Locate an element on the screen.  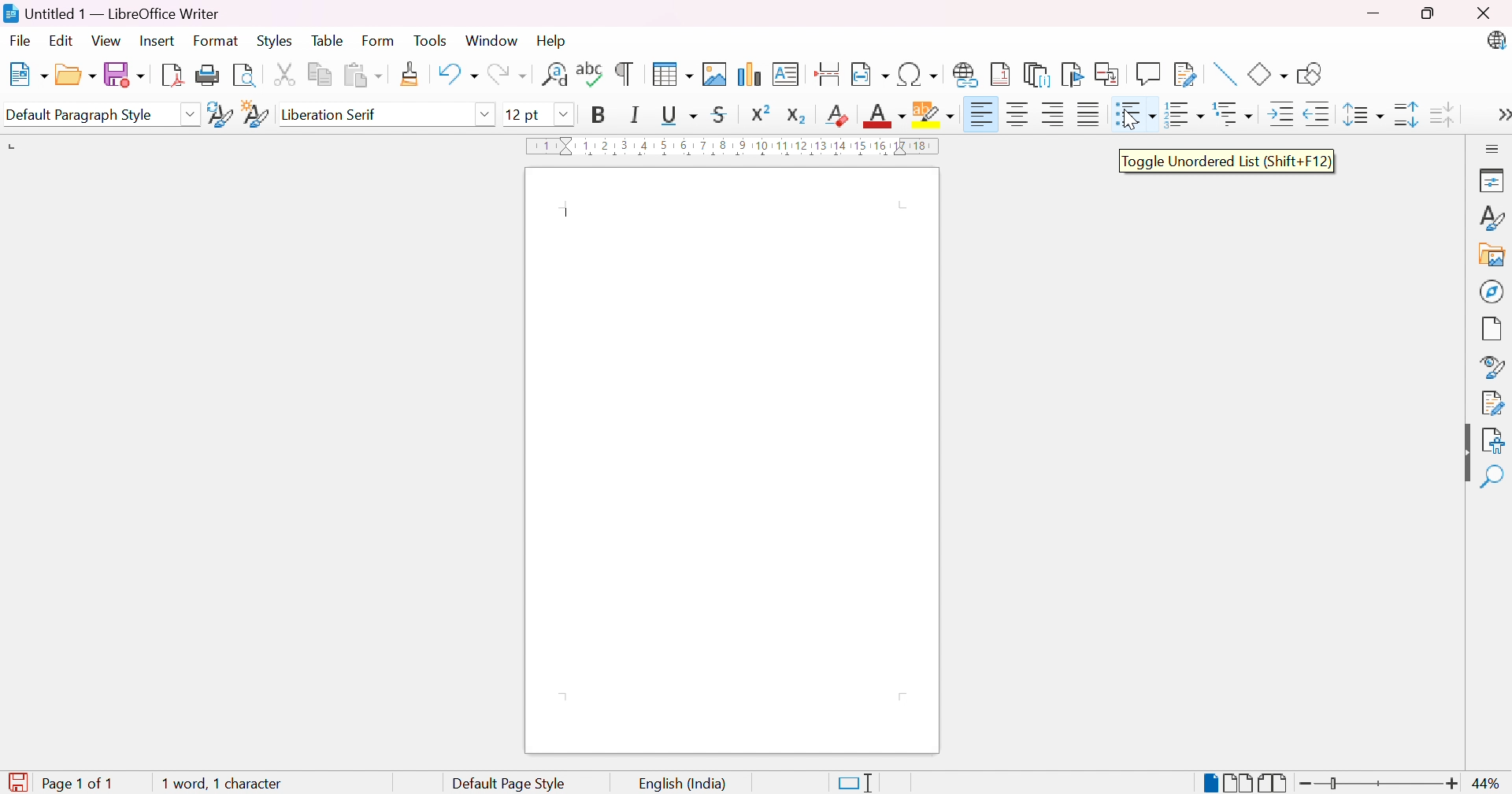
Default paragraph style is located at coordinates (83, 117).